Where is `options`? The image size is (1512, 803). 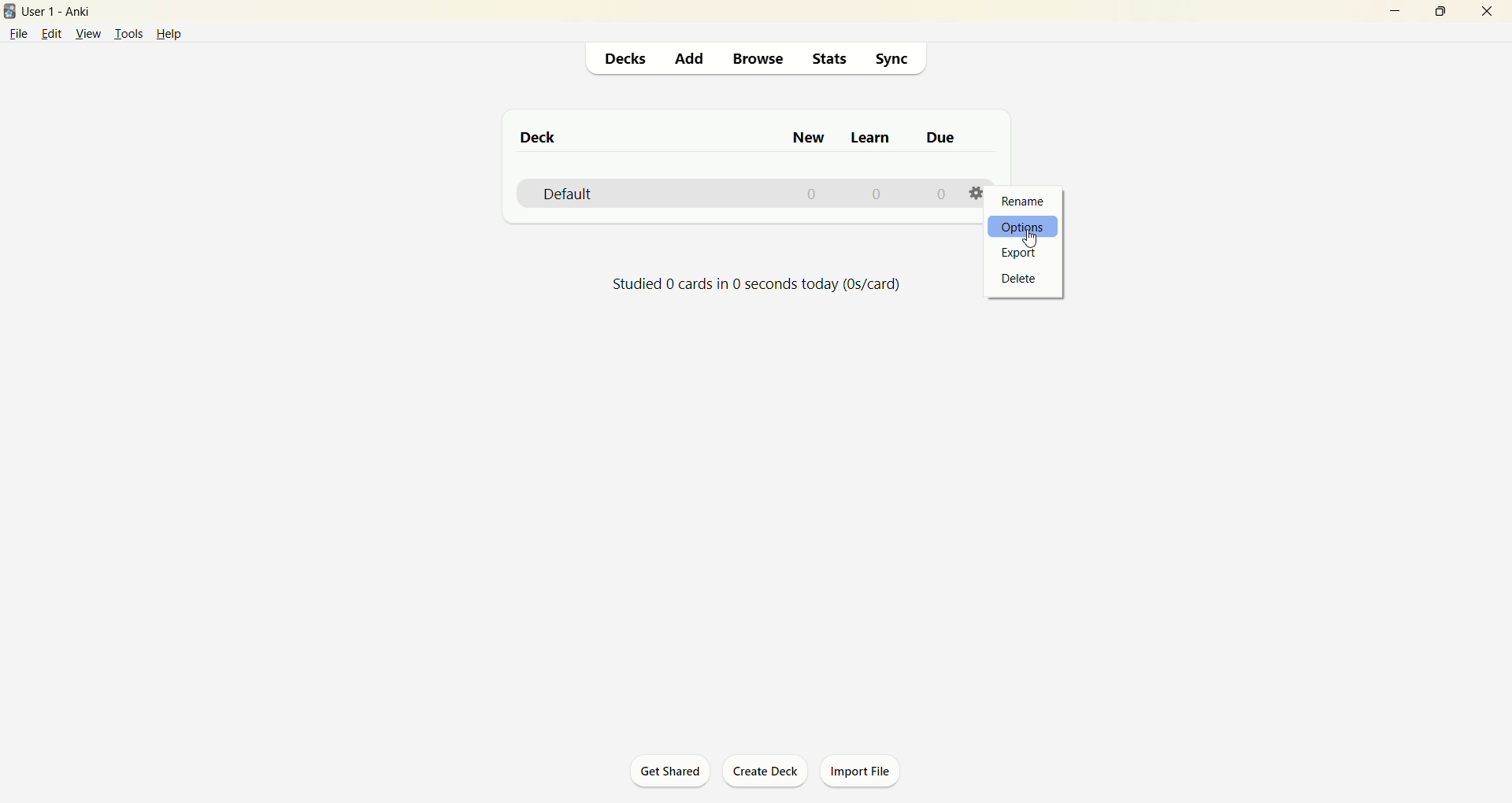 options is located at coordinates (1026, 227).